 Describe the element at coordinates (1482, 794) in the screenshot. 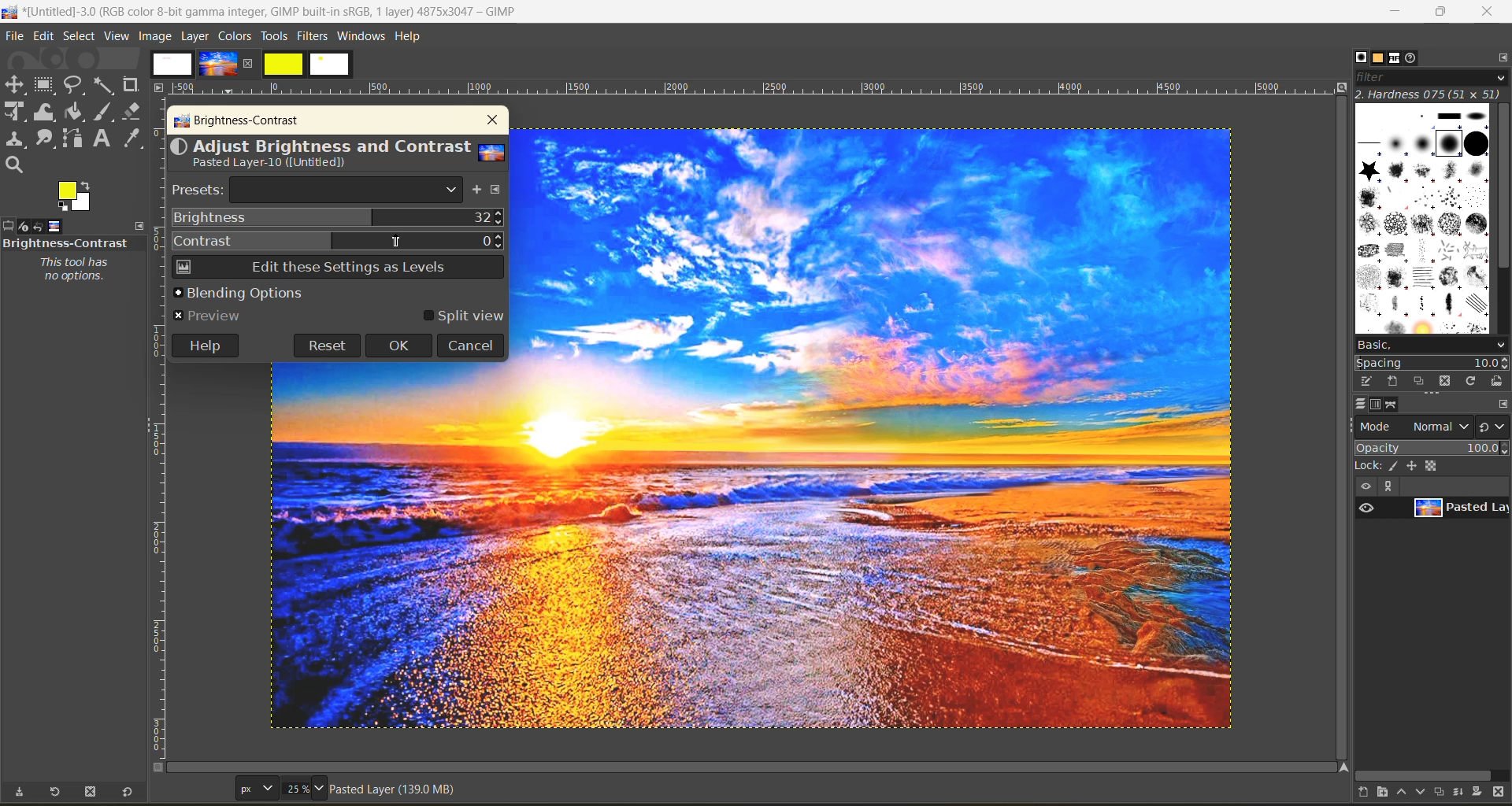

I see `add a mask` at that location.